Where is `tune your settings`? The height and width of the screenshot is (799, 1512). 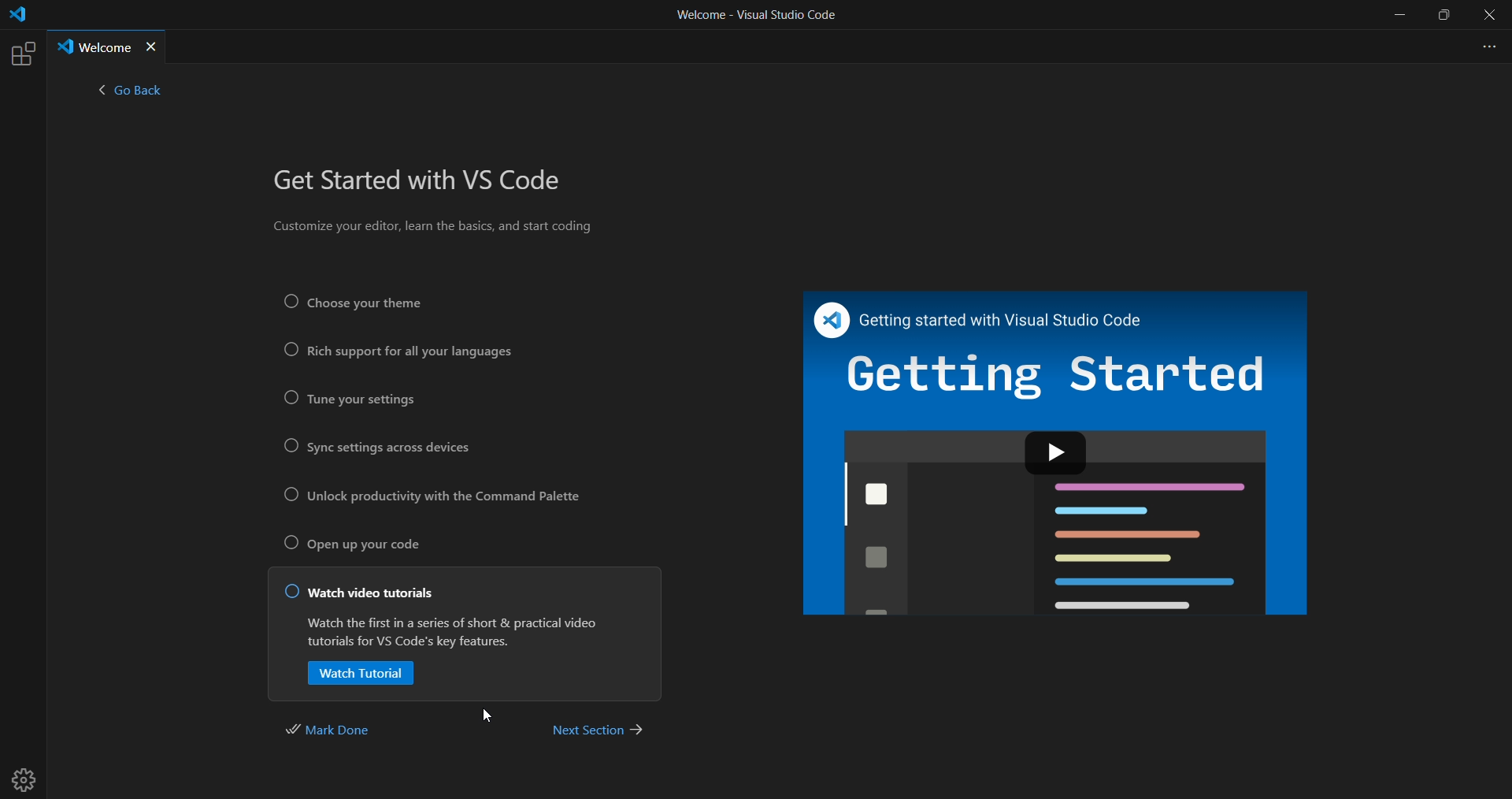
tune your settings is located at coordinates (358, 400).